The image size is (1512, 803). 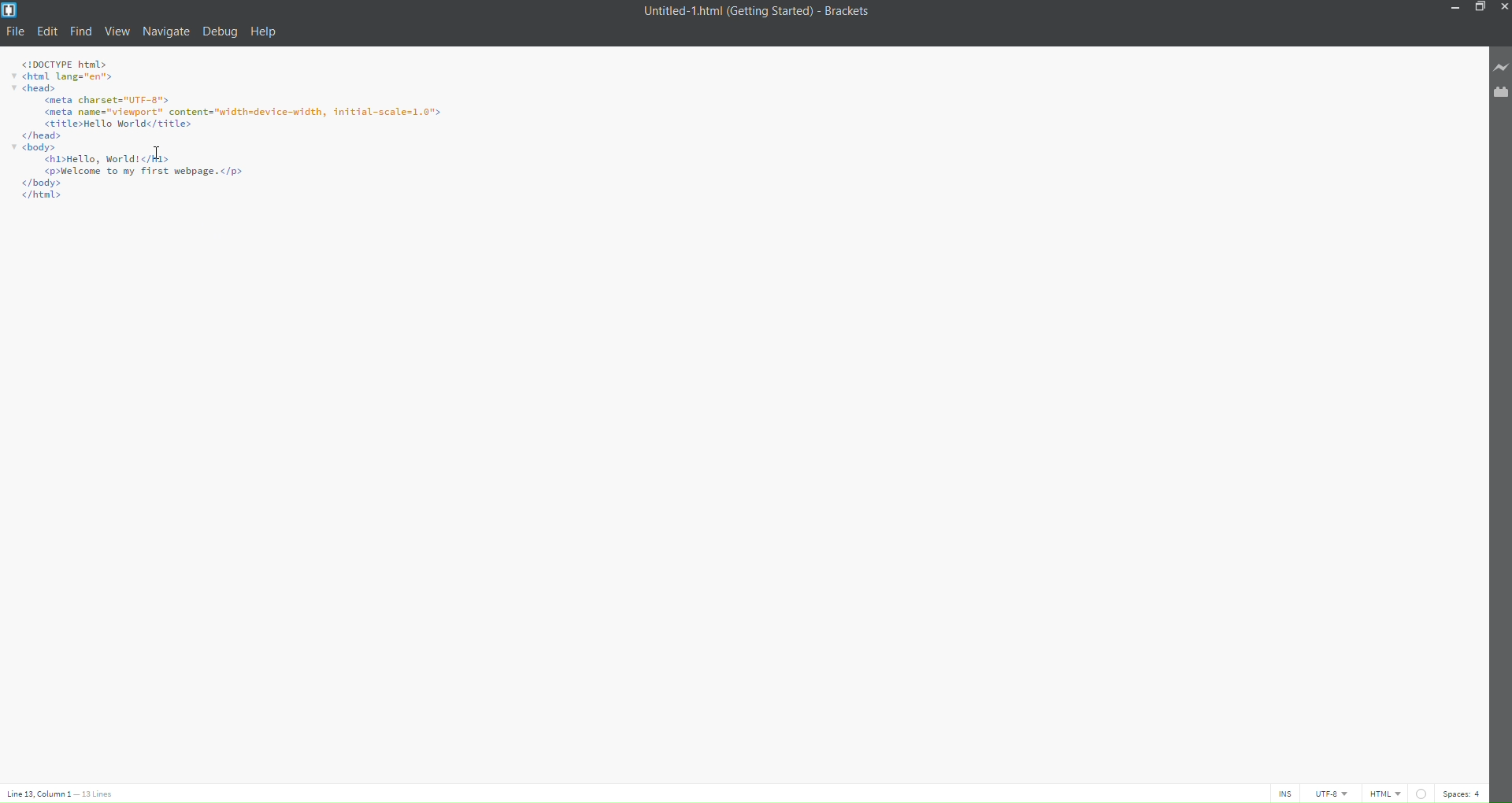 I want to click on edit, so click(x=49, y=31).